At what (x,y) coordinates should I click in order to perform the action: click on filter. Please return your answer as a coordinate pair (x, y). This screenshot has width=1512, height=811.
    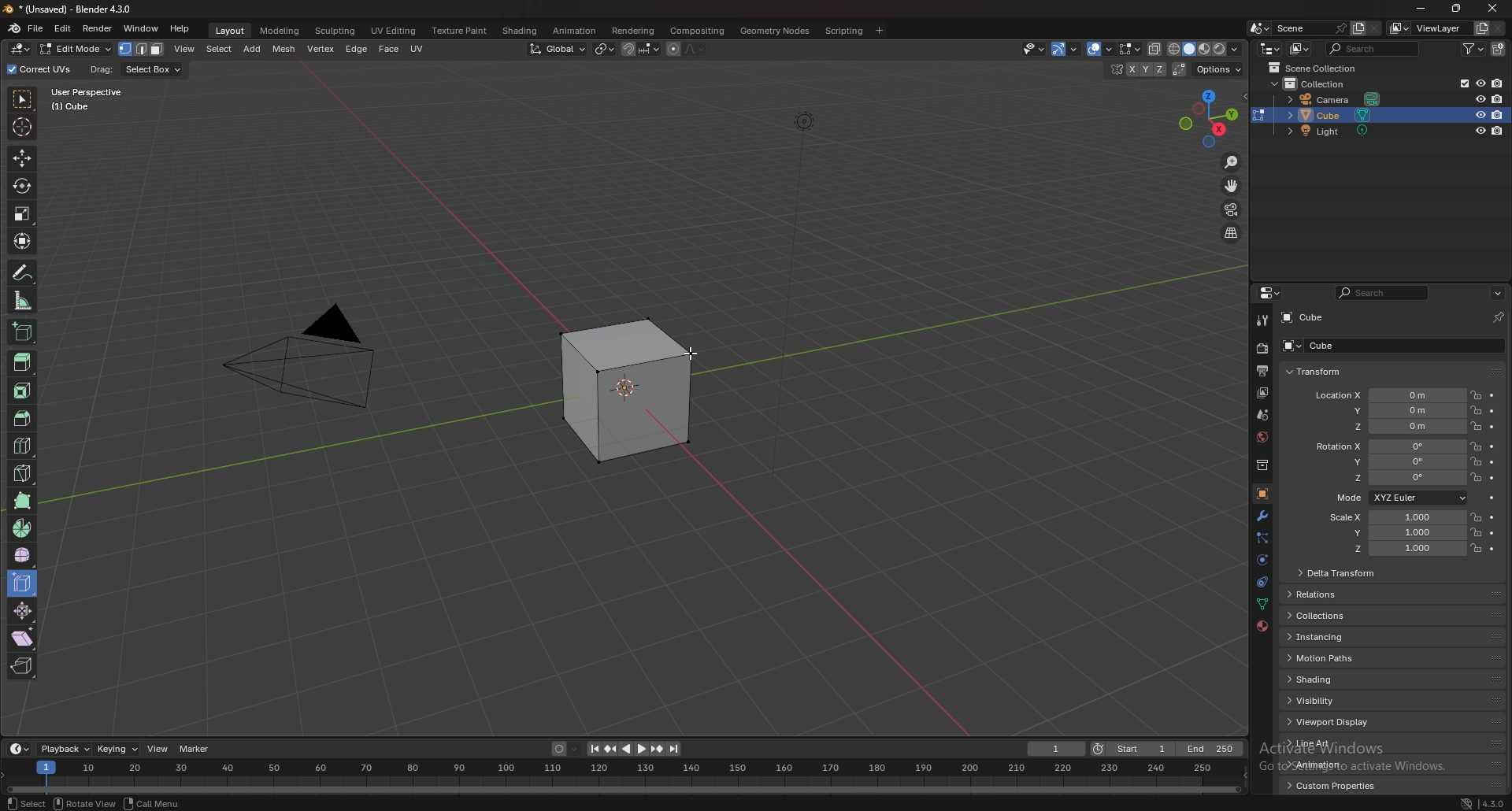
    Looking at the image, I should click on (1475, 48).